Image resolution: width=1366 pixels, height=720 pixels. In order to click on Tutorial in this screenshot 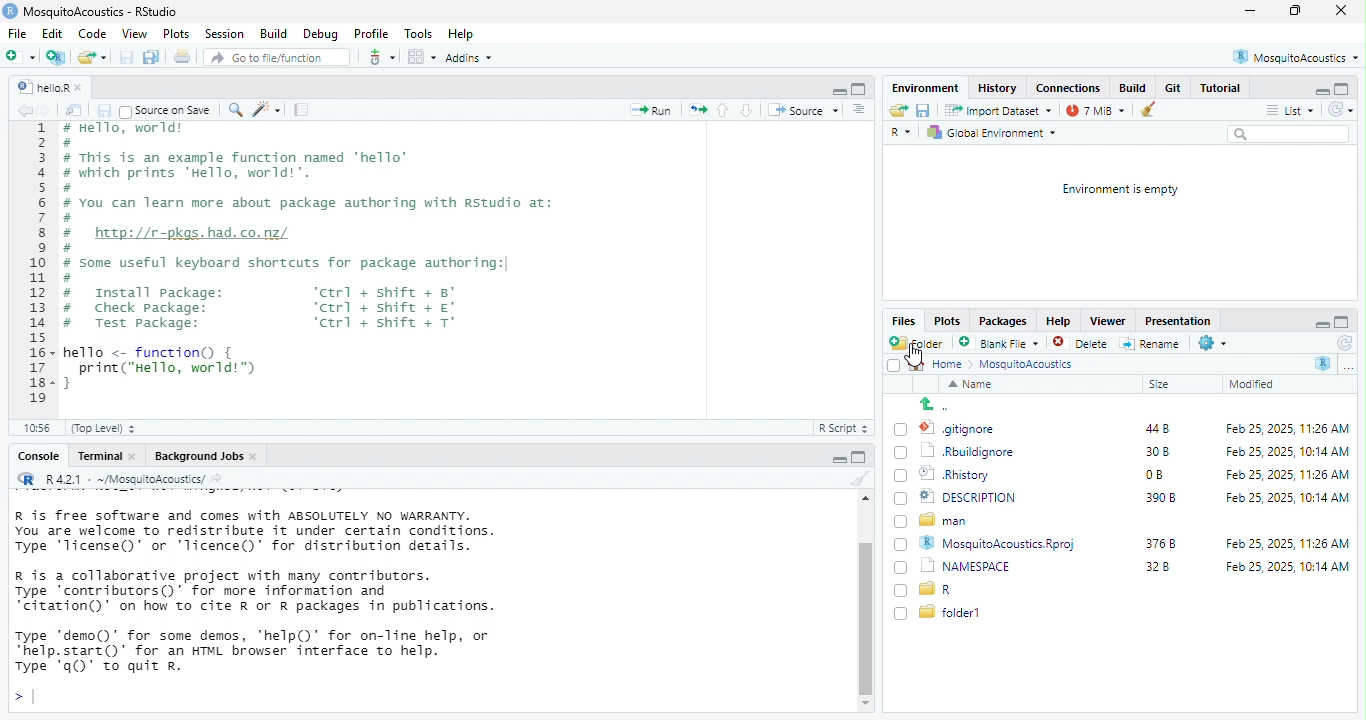, I will do `click(1225, 88)`.